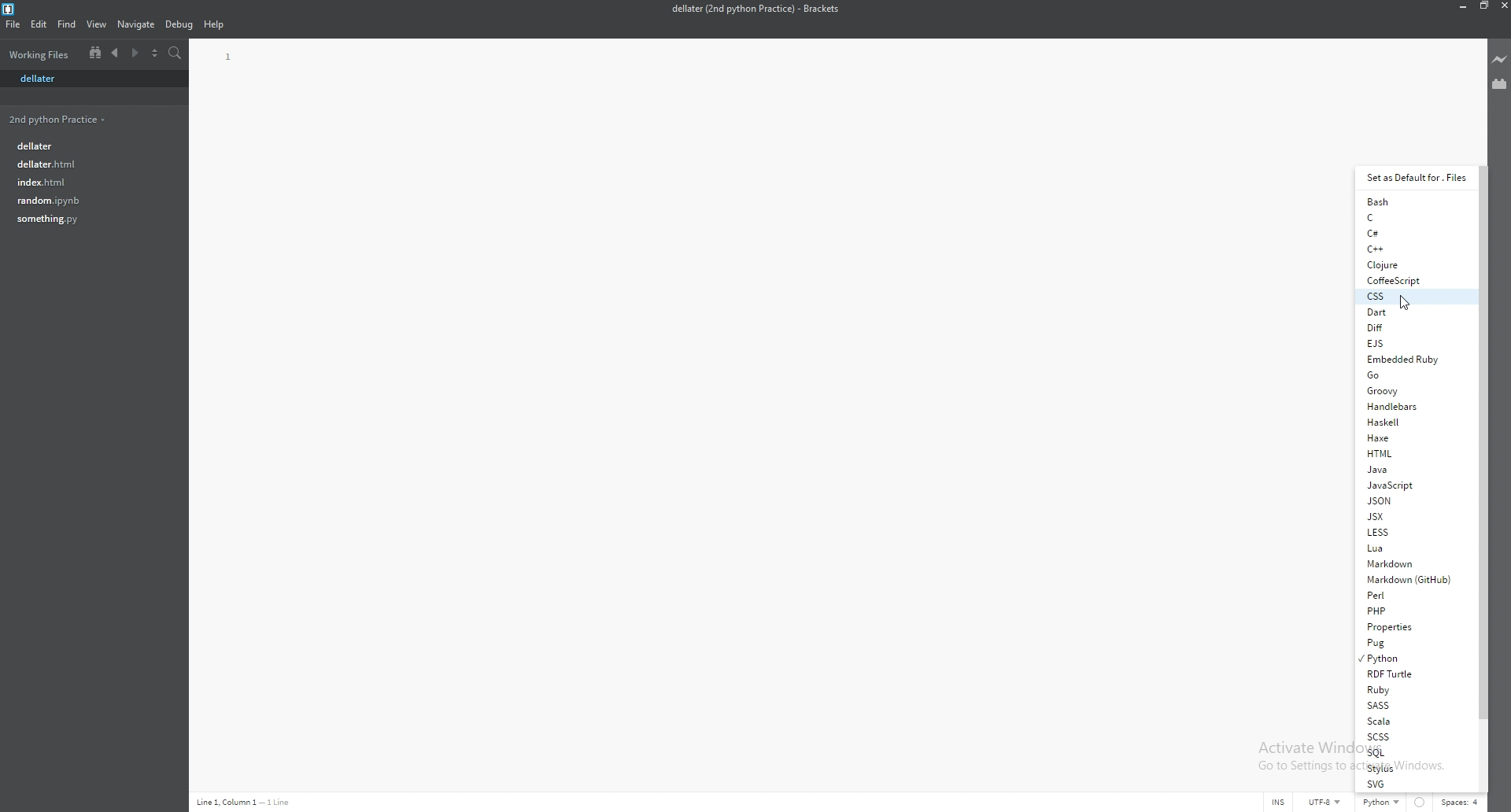 The height and width of the screenshot is (812, 1511). I want to click on stylus, so click(1413, 768).